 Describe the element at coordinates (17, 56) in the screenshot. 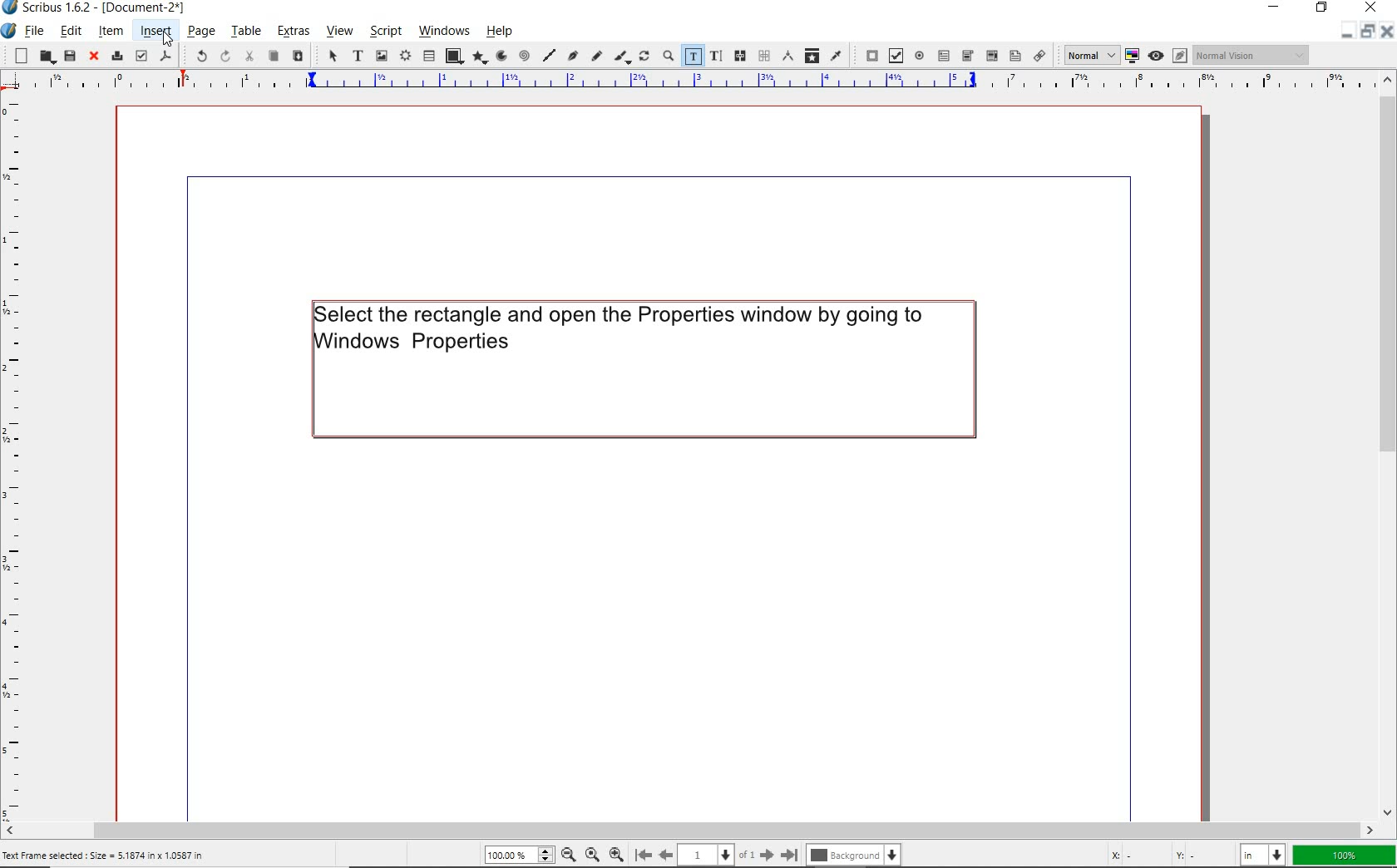

I see `new` at that location.